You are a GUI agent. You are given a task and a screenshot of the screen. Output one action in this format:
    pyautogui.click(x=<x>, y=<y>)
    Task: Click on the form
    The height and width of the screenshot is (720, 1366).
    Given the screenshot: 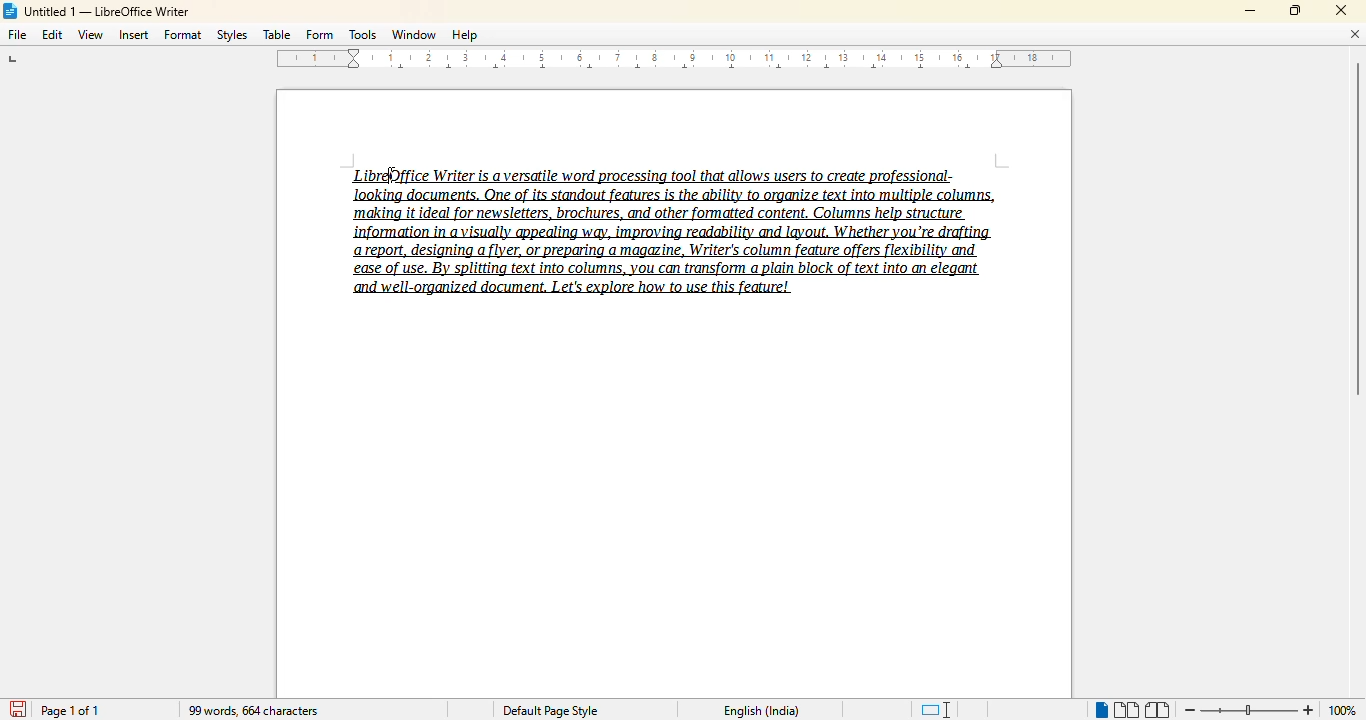 What is the action you would take?
    pyautogui.click(x=320, y=34)
    